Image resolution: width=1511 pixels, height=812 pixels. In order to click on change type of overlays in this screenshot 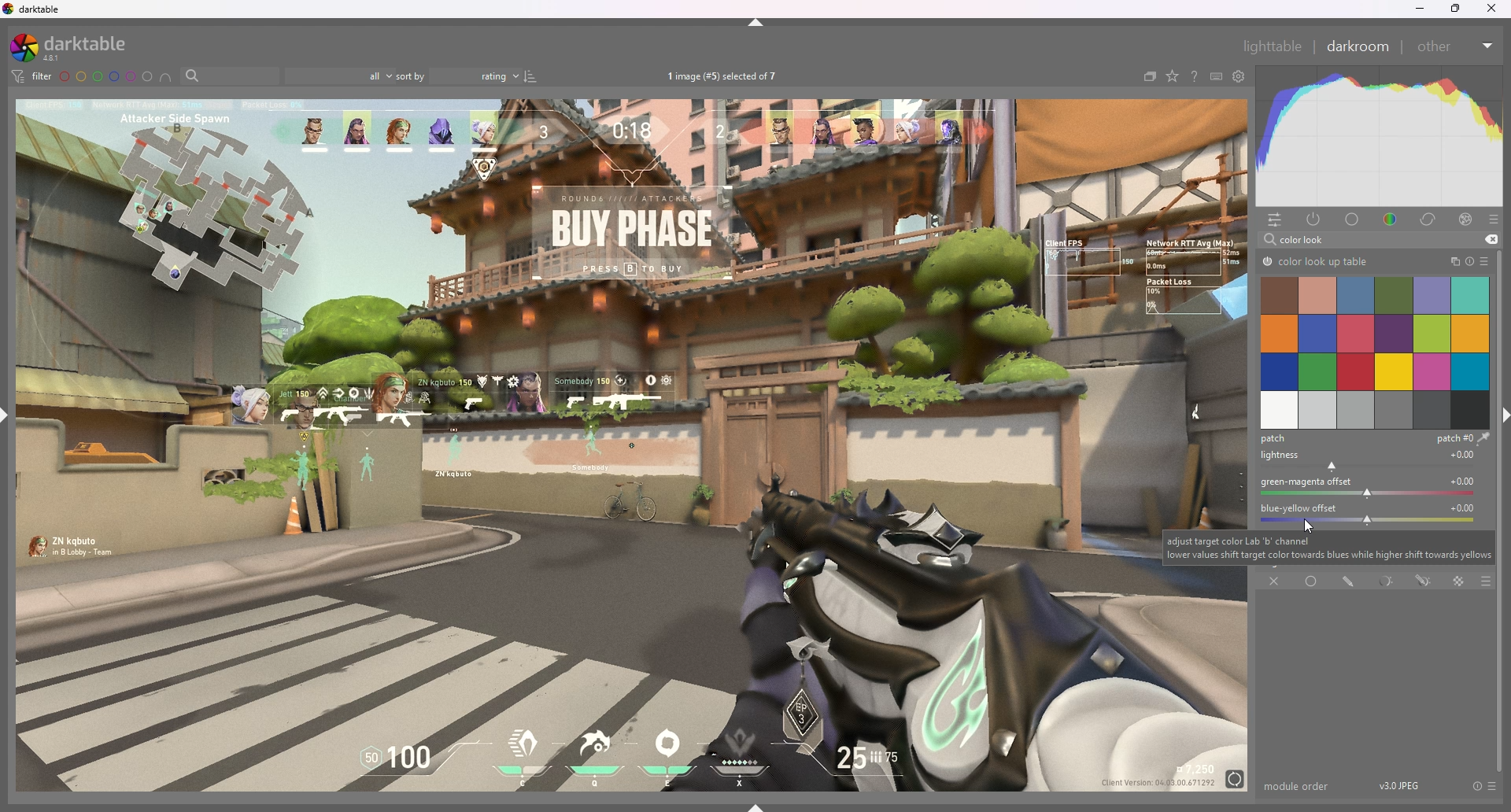, I will do `click(1173, 76)`.